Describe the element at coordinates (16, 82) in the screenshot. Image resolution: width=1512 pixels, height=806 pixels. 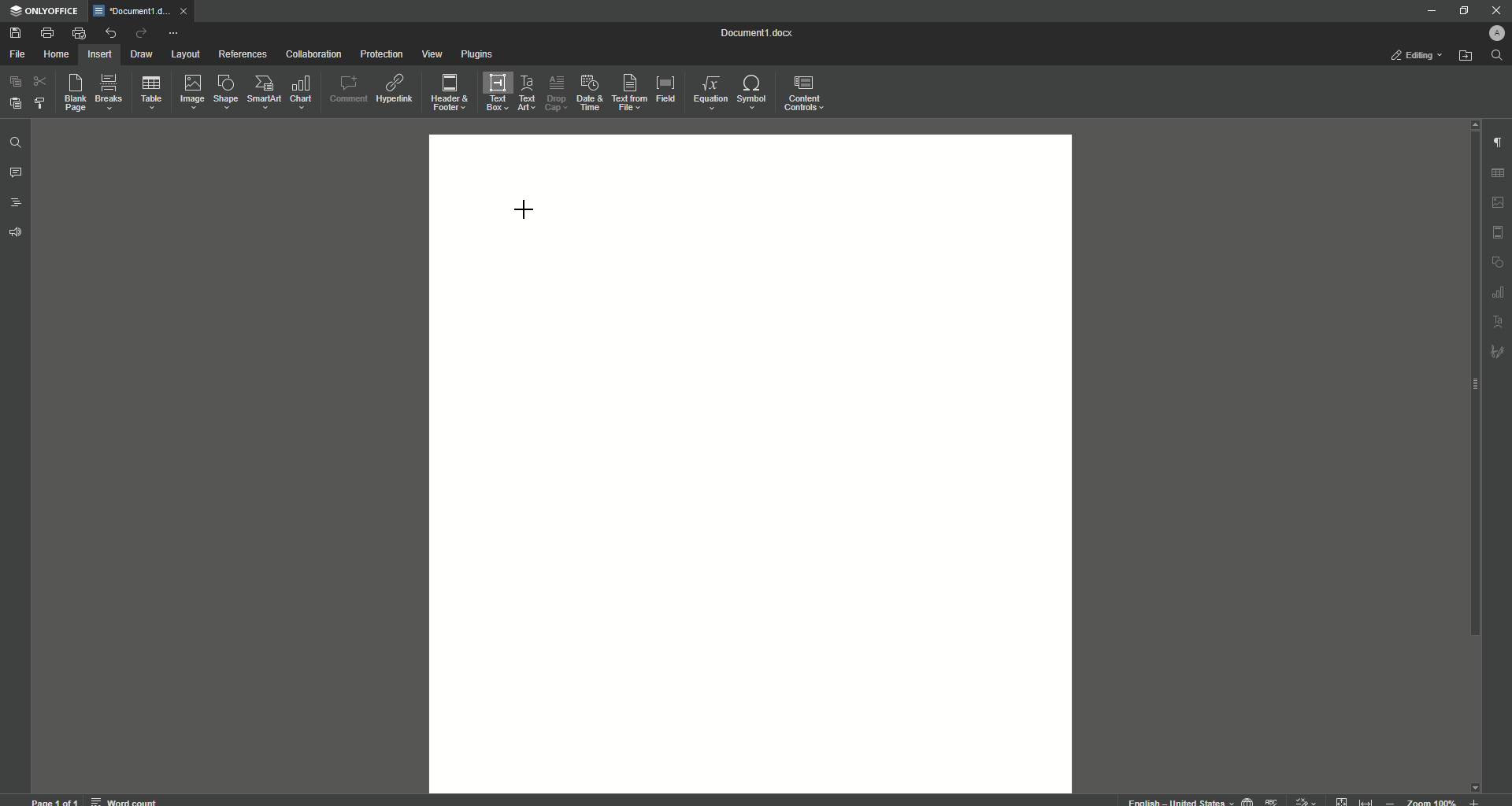
I see `Copy` at that location.